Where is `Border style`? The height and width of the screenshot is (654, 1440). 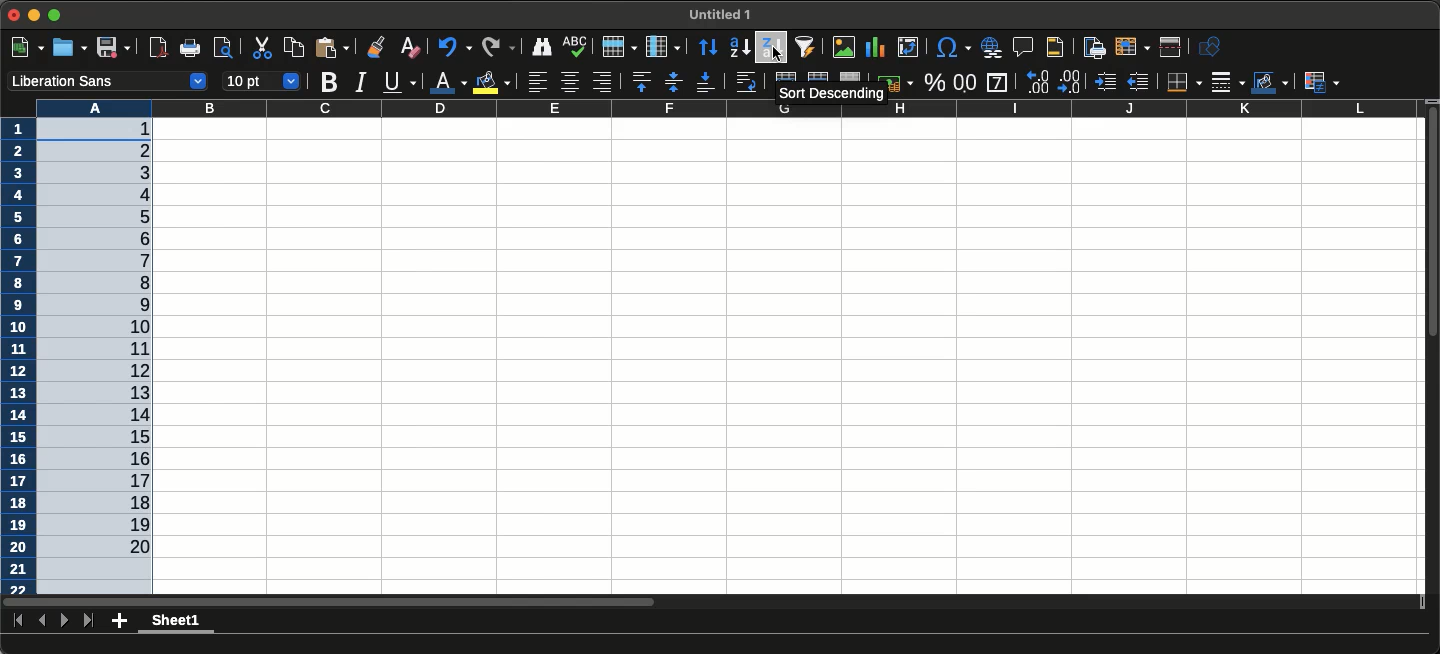 Border style is located at coordinates (1227, 83).